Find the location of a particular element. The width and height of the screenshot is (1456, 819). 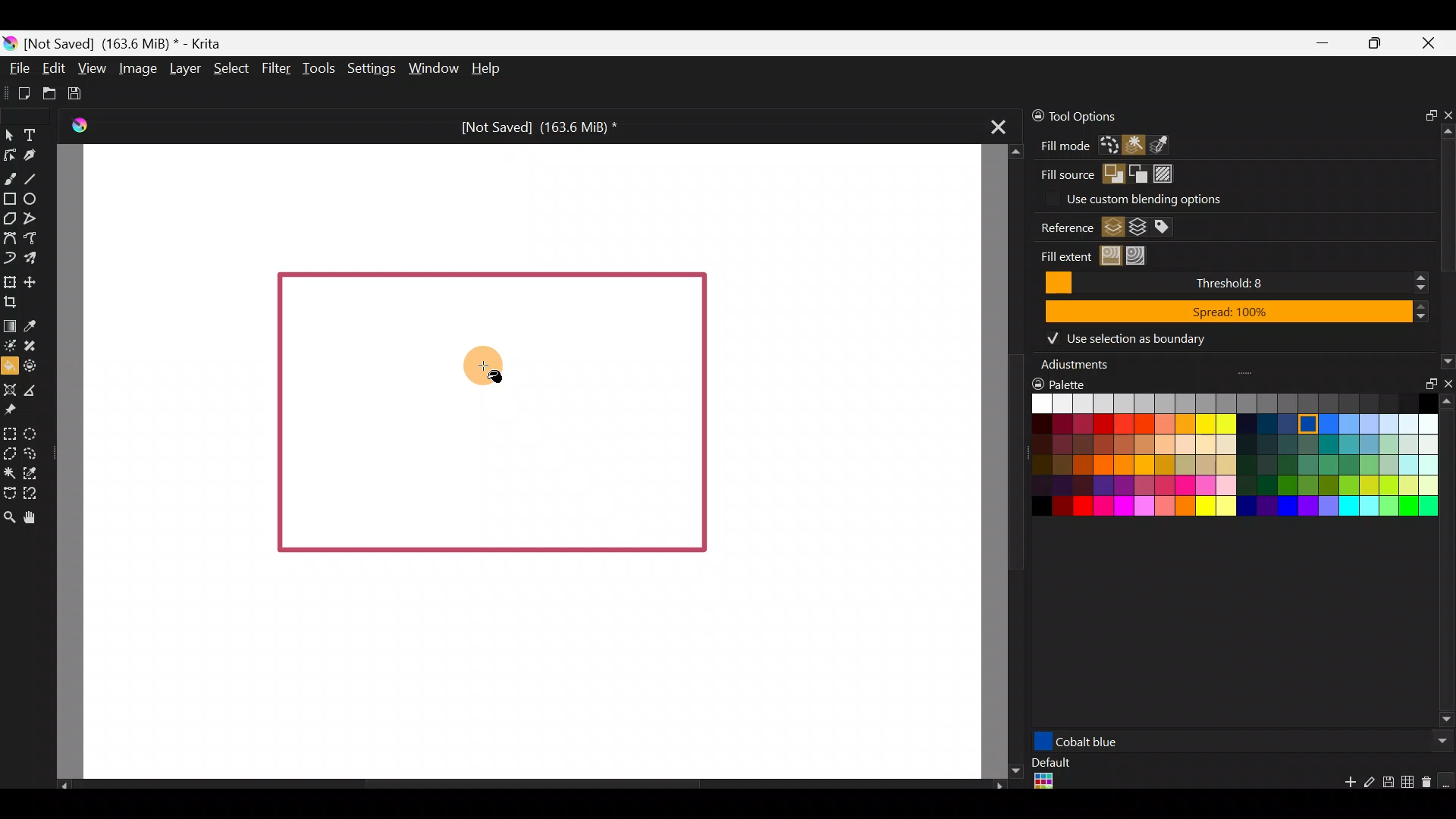

Transform a layer/selection is located at coordinates (9, 280).